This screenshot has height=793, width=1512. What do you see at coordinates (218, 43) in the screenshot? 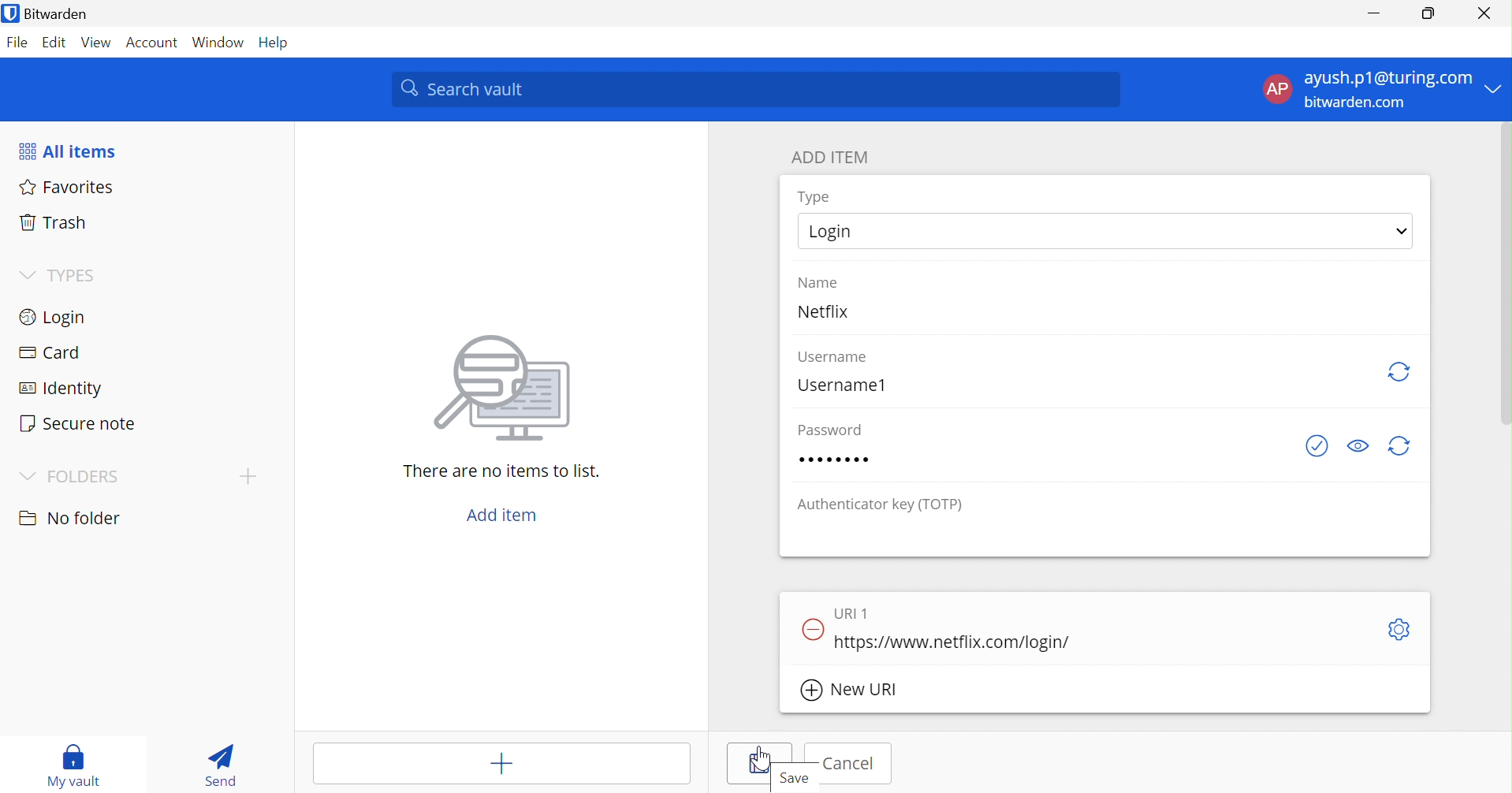
I see `Window` at bounding box center [218, 43].